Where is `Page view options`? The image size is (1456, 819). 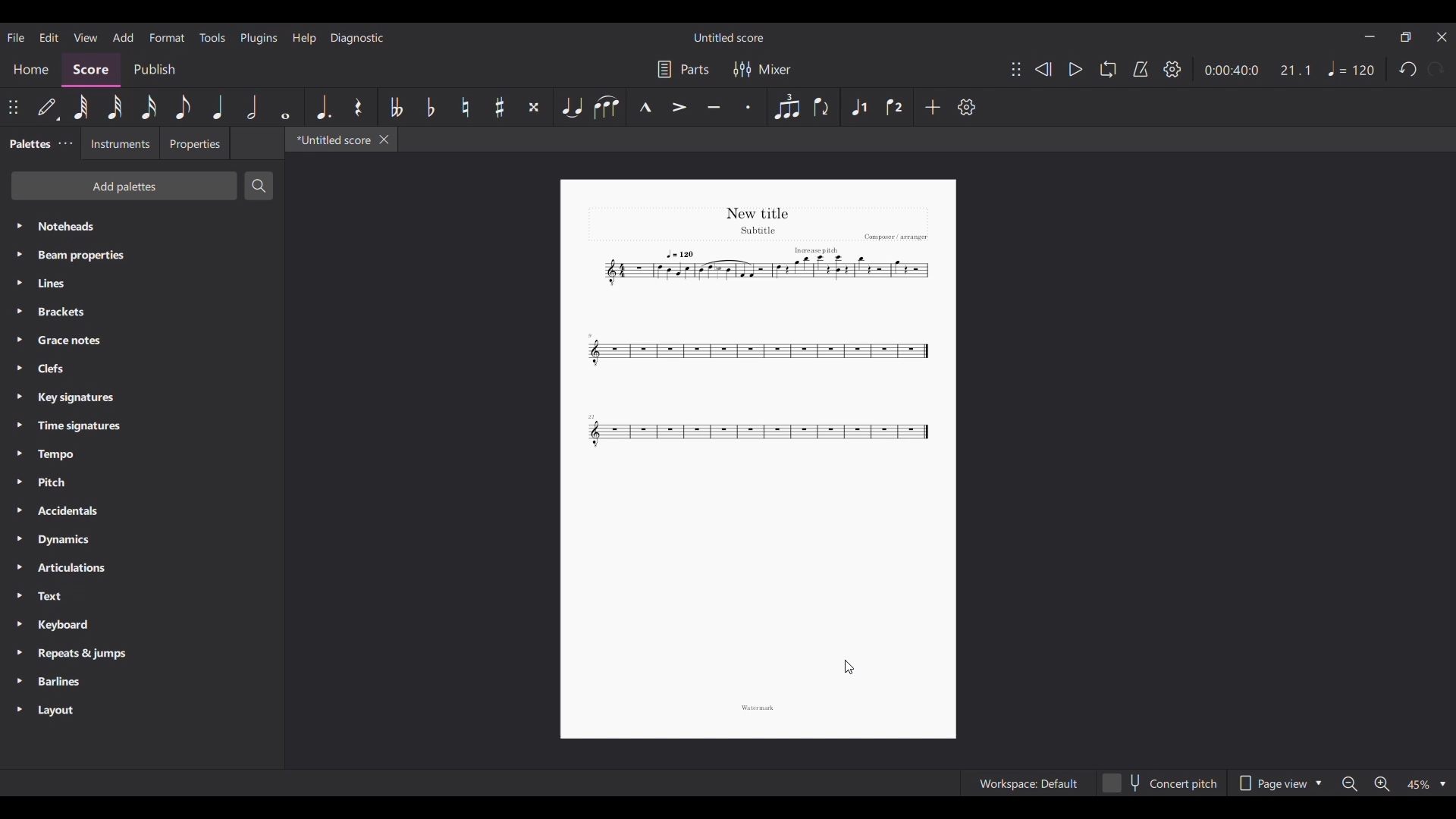 Page view options is located at coordinates (1278, 783).